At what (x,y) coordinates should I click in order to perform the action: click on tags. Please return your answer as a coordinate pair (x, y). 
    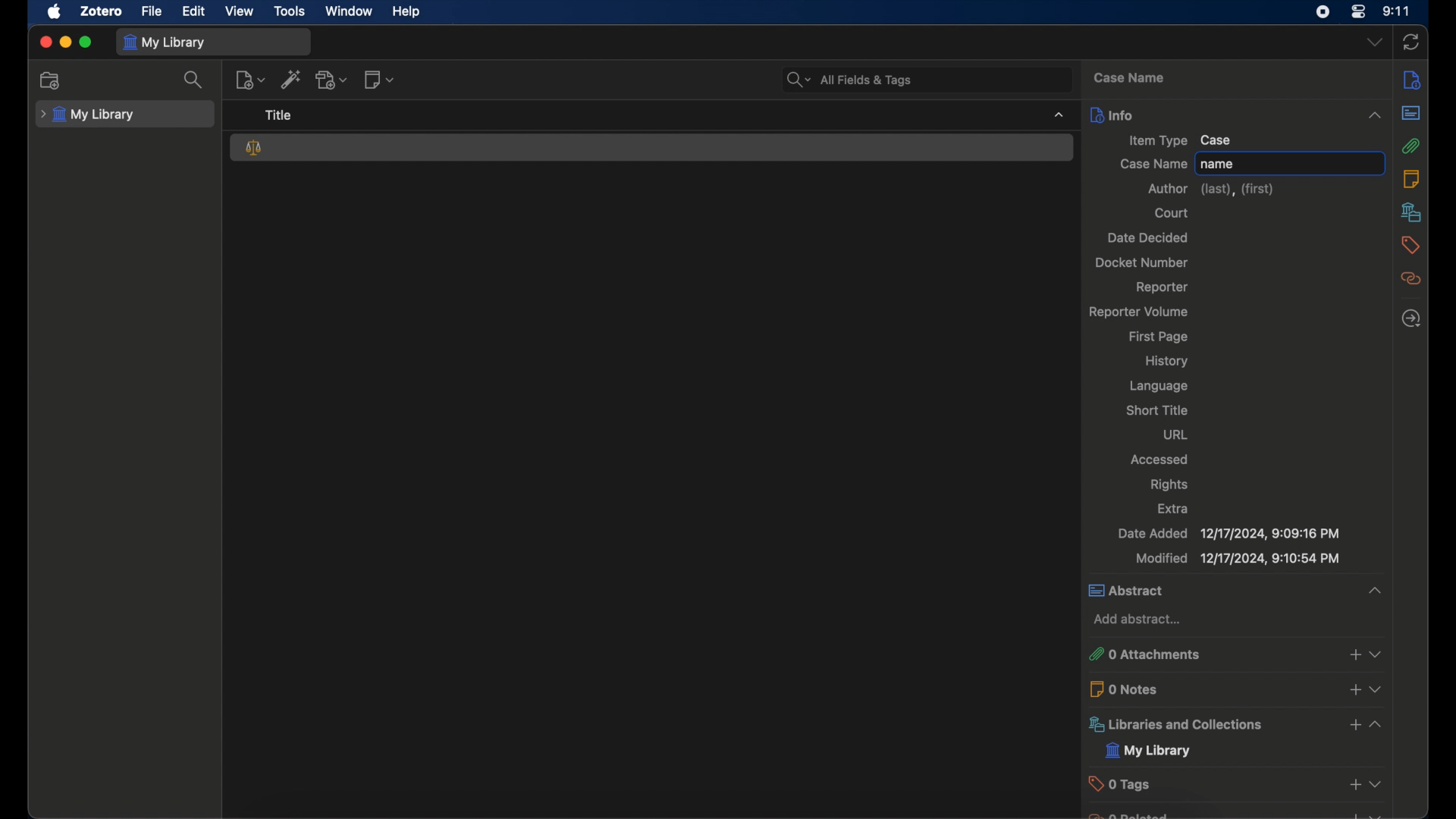
    Looking at the image, I should click on (1237, 783).